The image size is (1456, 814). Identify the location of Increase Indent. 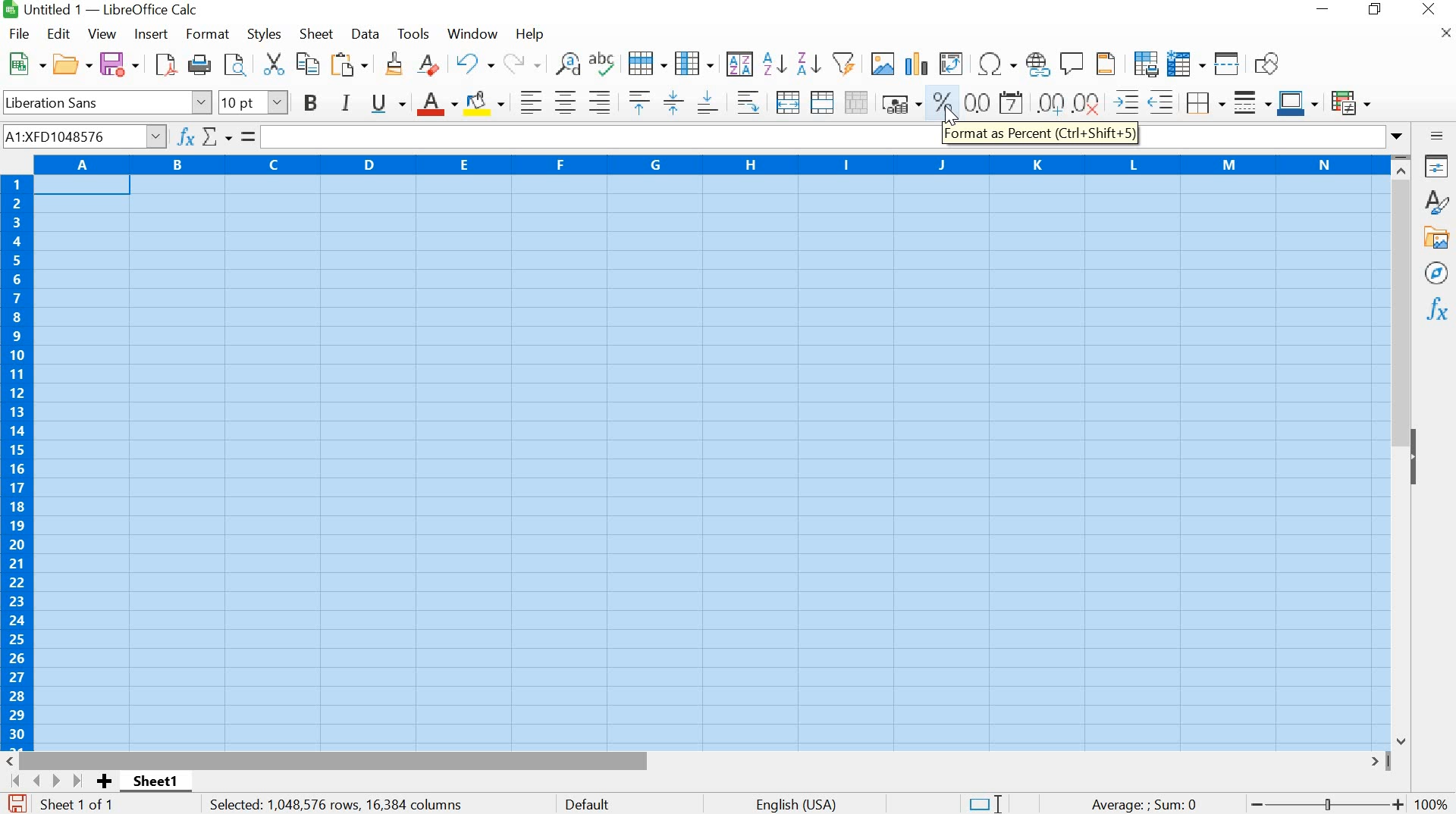
(1125, 99).